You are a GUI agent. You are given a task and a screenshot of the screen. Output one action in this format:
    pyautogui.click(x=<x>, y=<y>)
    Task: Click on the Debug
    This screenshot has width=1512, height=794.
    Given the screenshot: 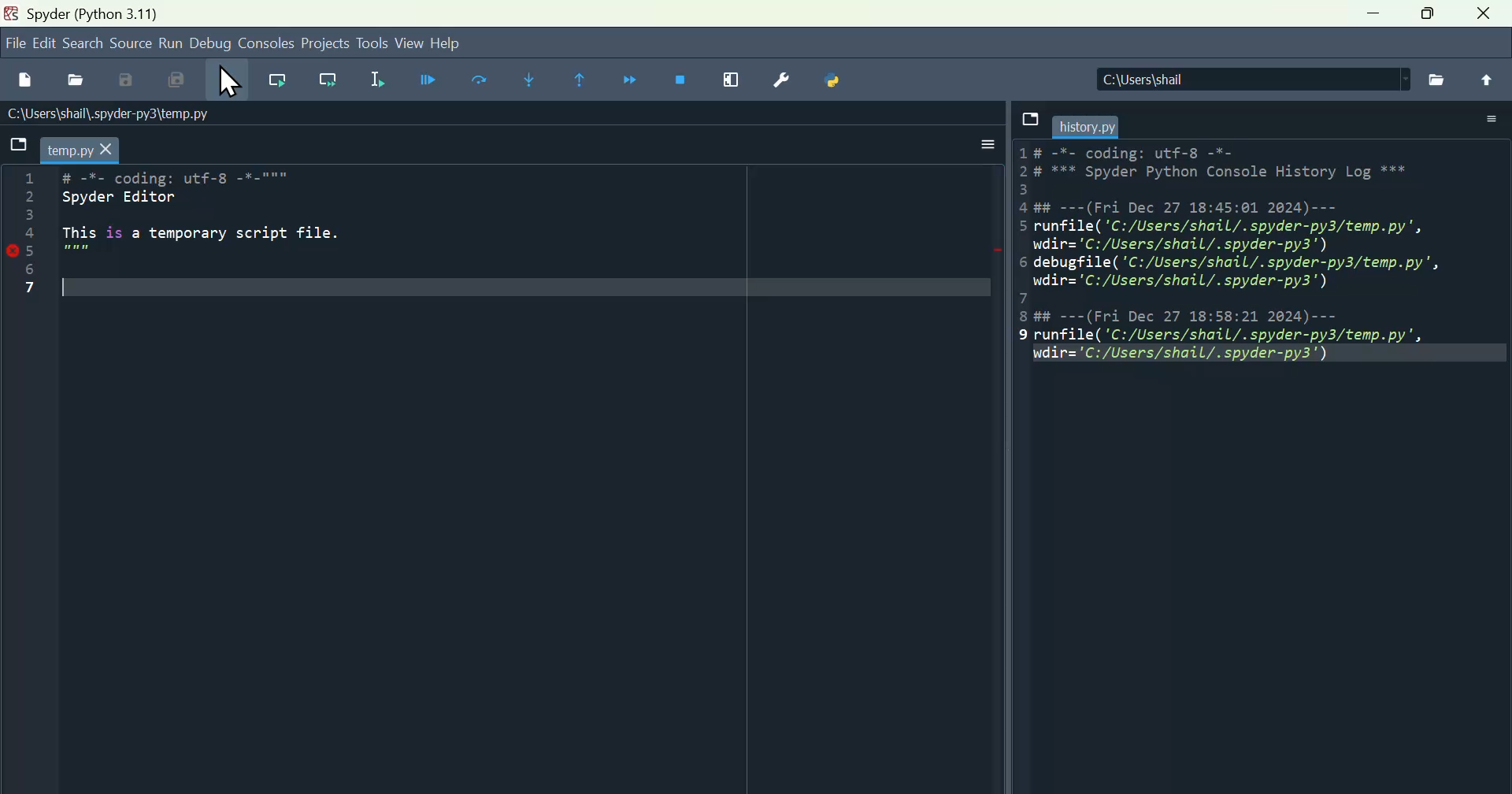 What is the action you would take?
    pyautogui.click(x=432, y=79)
    